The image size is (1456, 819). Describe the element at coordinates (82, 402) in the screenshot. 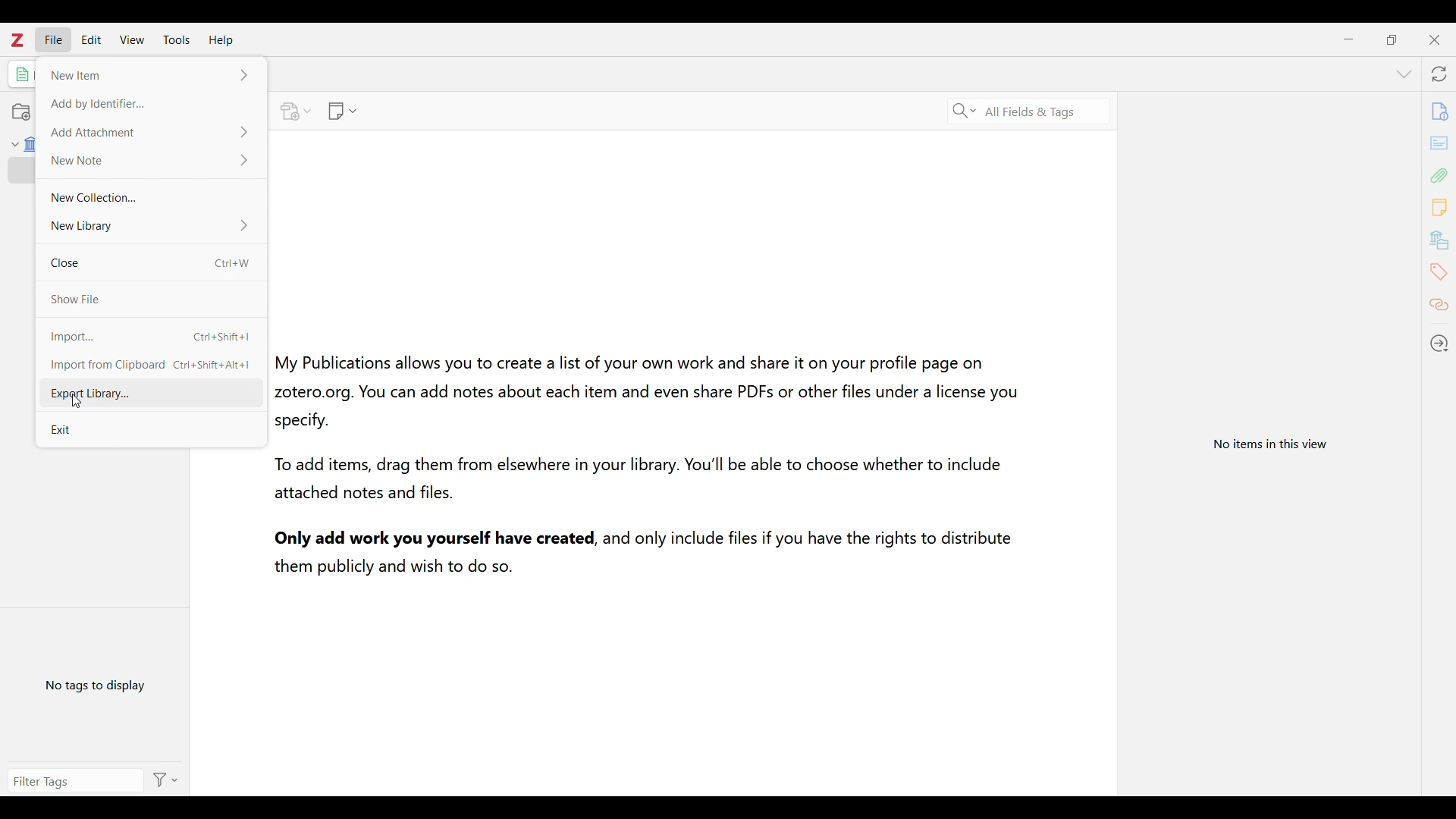

I see `Cursor` at that location.